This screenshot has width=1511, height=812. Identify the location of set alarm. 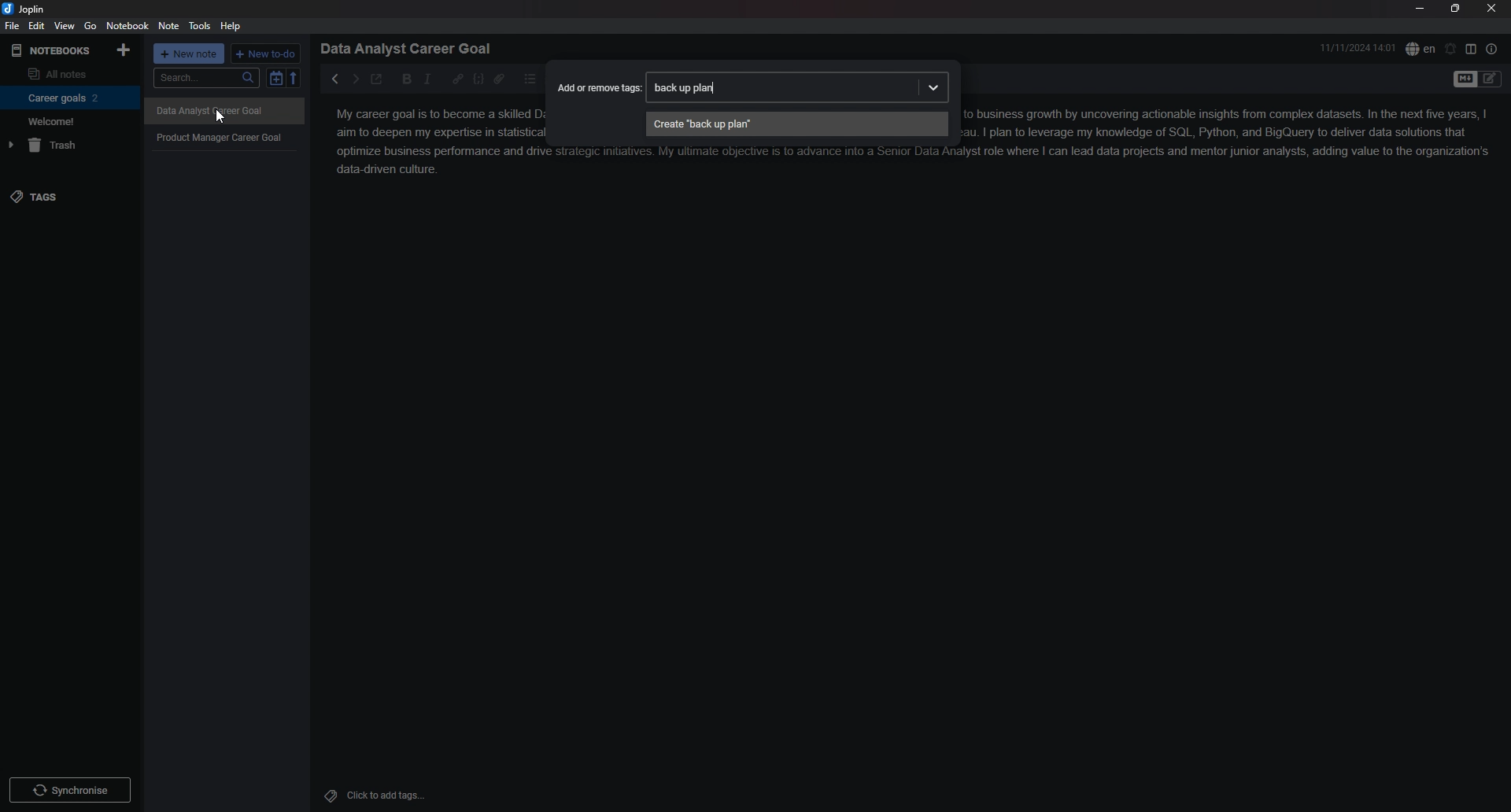
(1451, 49).